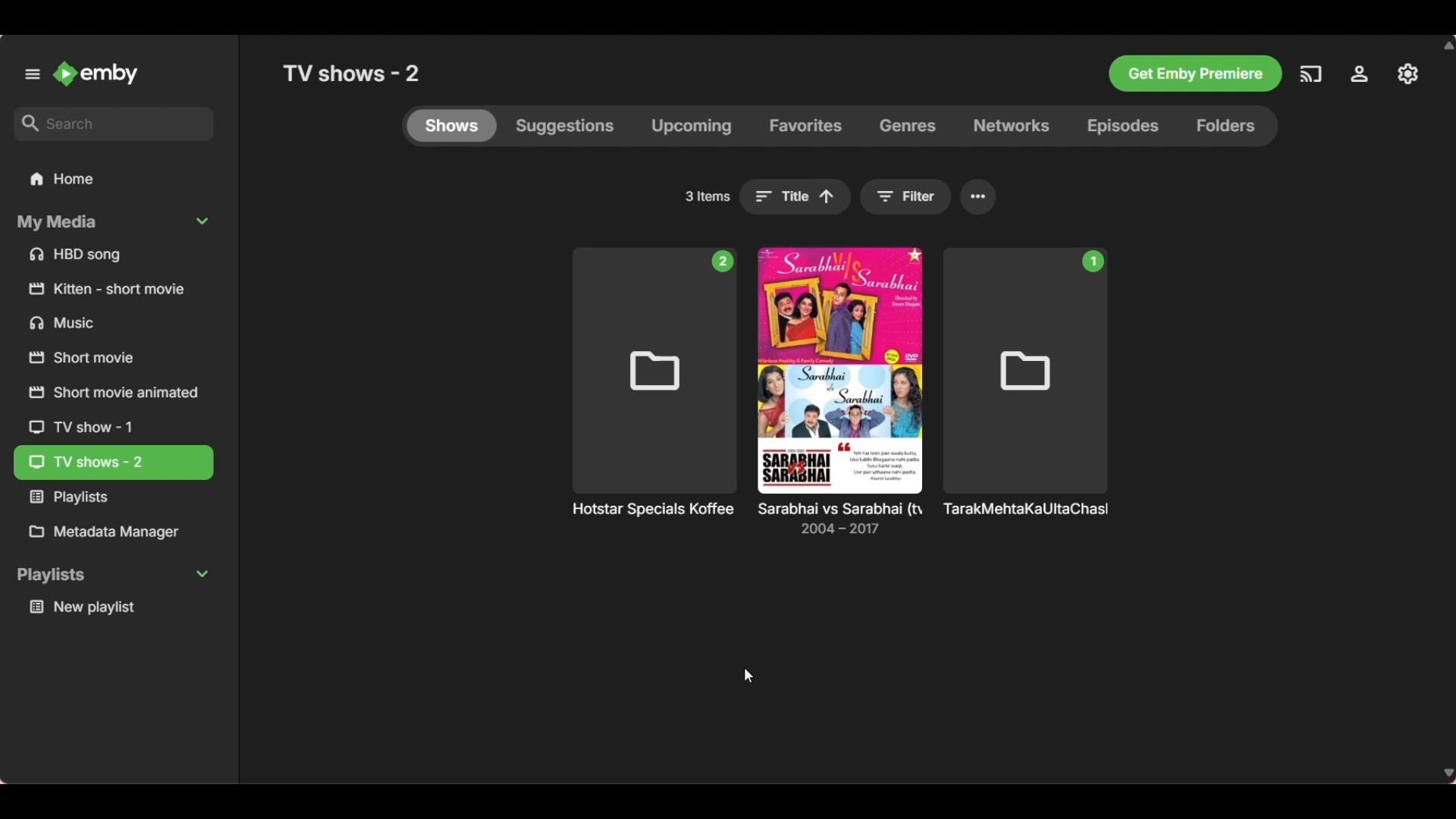 Image resolution: width=1456 pixels, height=819 pixels. What do you see at coordinates (691, 127) in the screenshot?
I see `Upcoming` at bounding box center [691, 127].